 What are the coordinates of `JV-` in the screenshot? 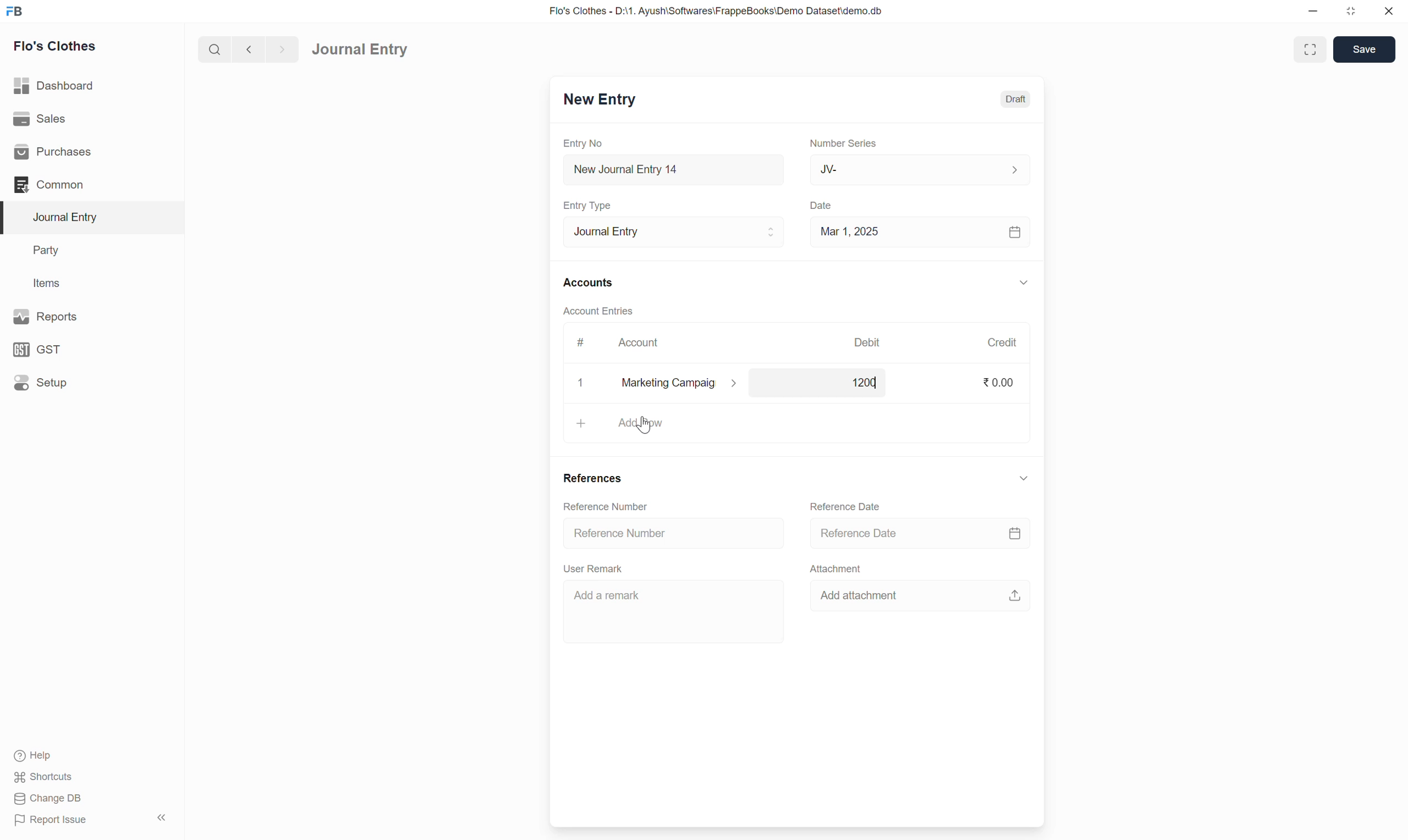 It's located at (921, 169).